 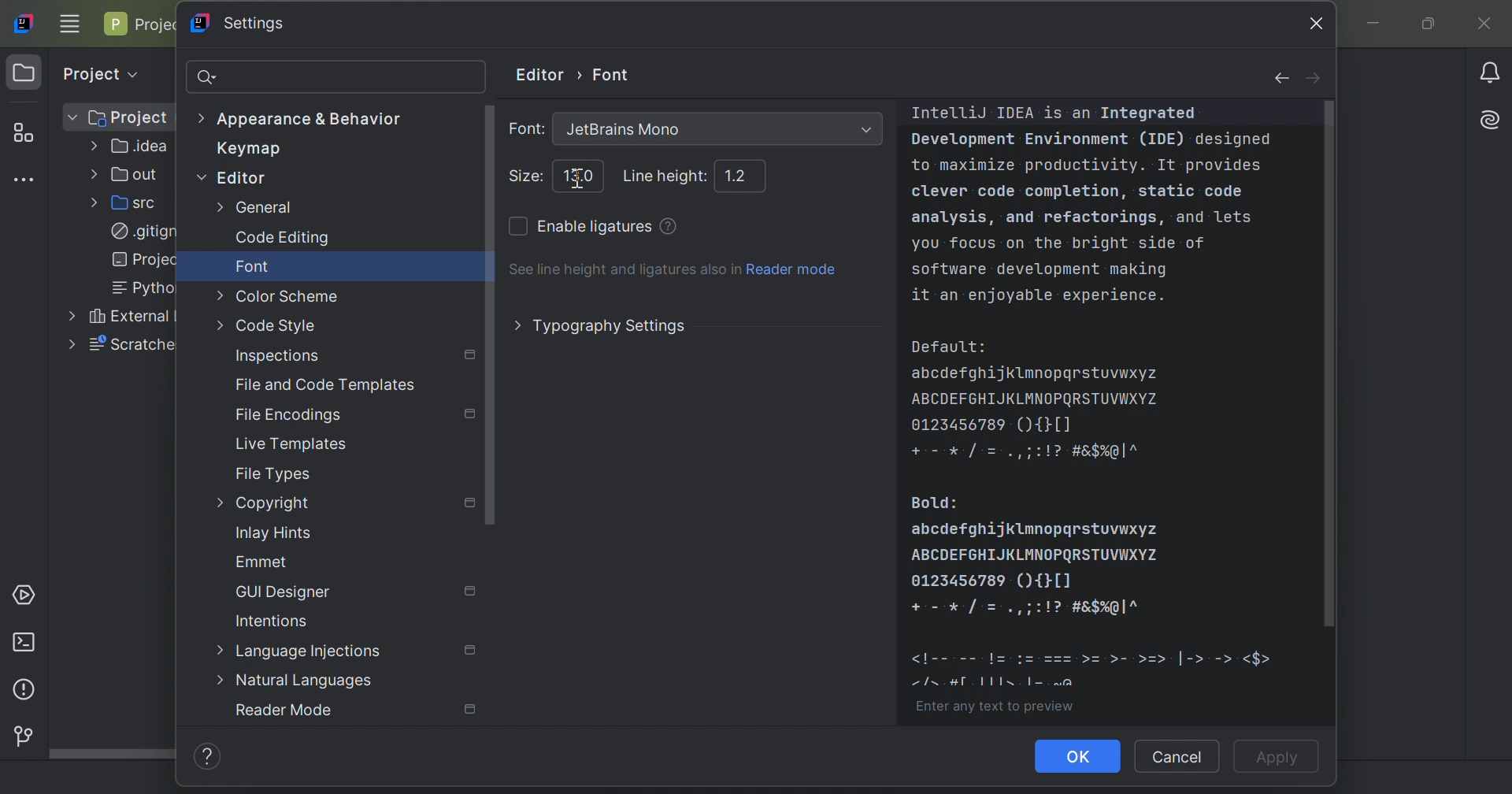 What do you see at coordinates (472, 503) in the screenshot?
I see `Settings marked with this icon are only applied to the current project. Non-marked settings are applied to all projects.` at bounding box center [472, 503].